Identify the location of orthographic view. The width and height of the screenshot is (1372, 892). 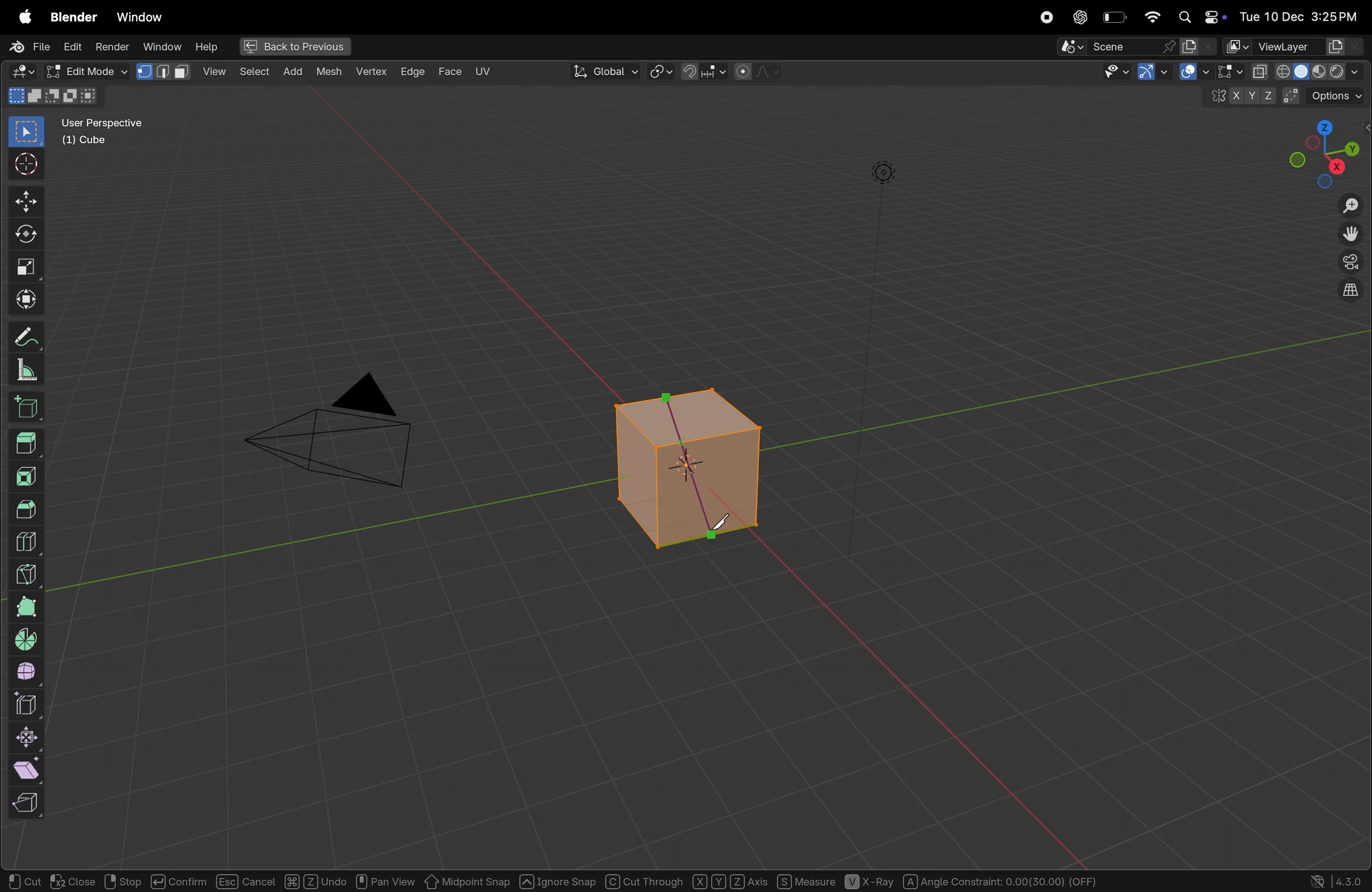
(1347, 293).